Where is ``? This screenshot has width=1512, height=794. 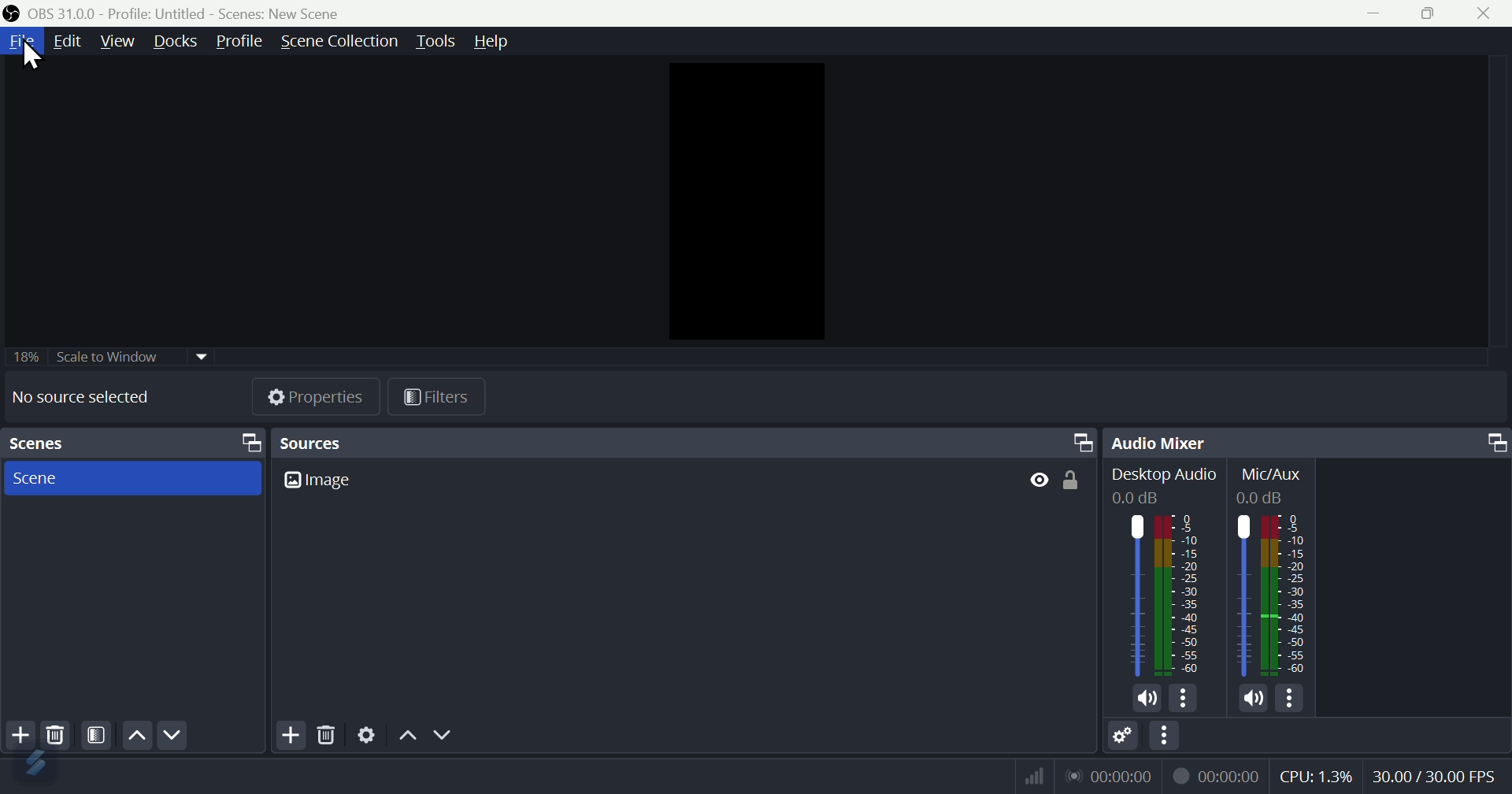  is located at coordinates (1037, 482).